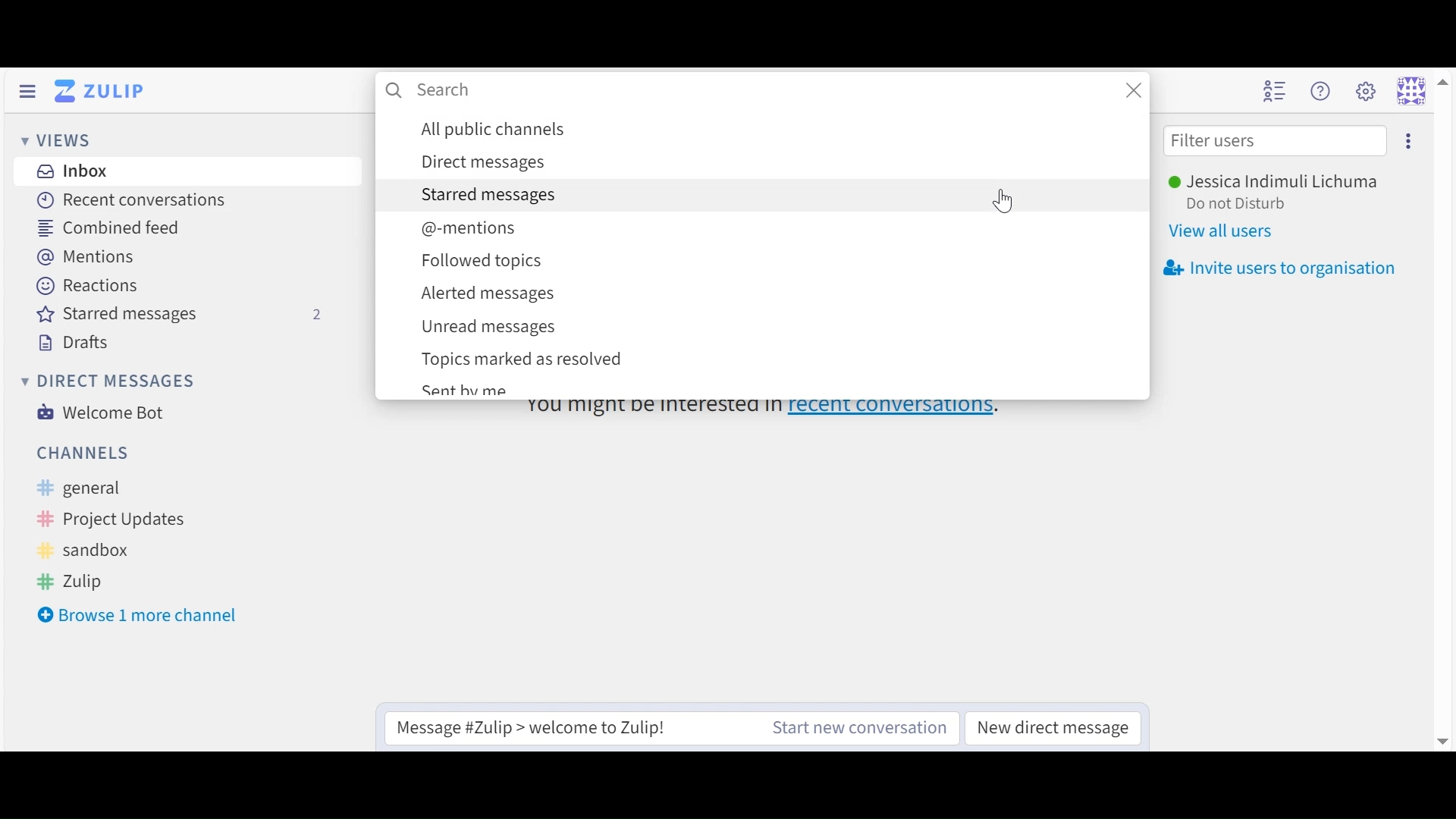  What do you see at coordinates (465, 391) in the screenshot?
I see `sent by me` at bounding box center [465, 391].